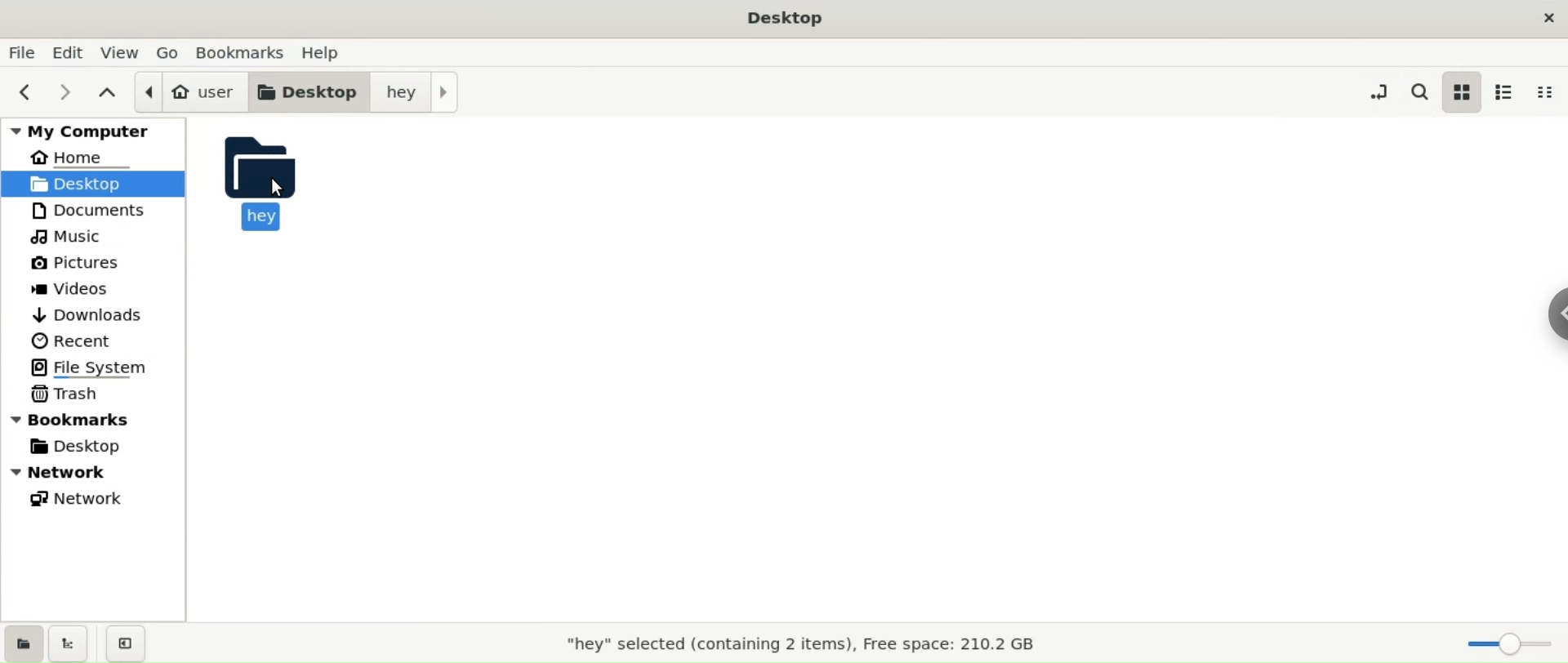  I want to click on "hey" selected(containing 2 items), Free space: 210.2 GB, so click(804, 646).